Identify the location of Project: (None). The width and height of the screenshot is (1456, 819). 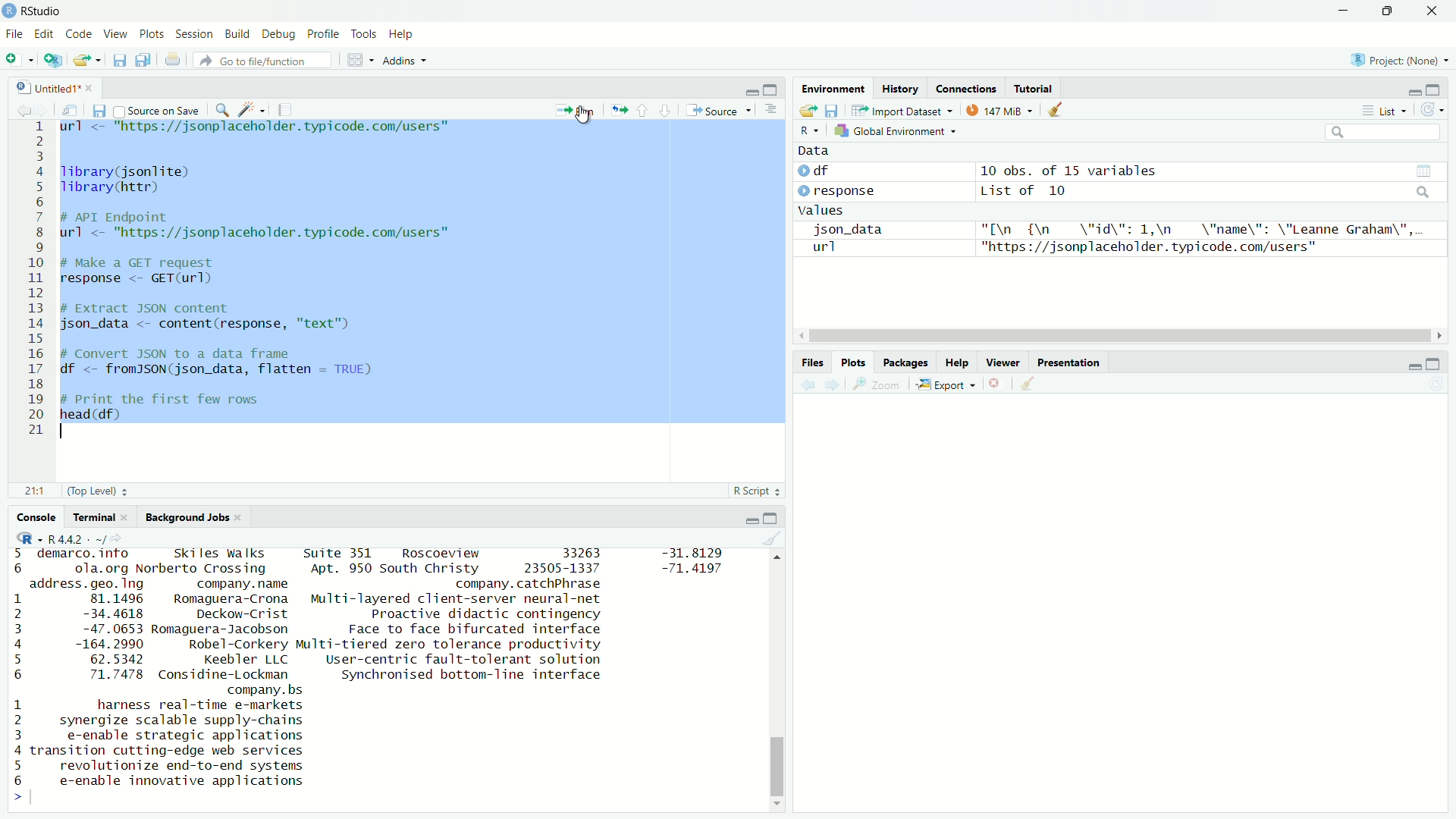
(1399, 60).